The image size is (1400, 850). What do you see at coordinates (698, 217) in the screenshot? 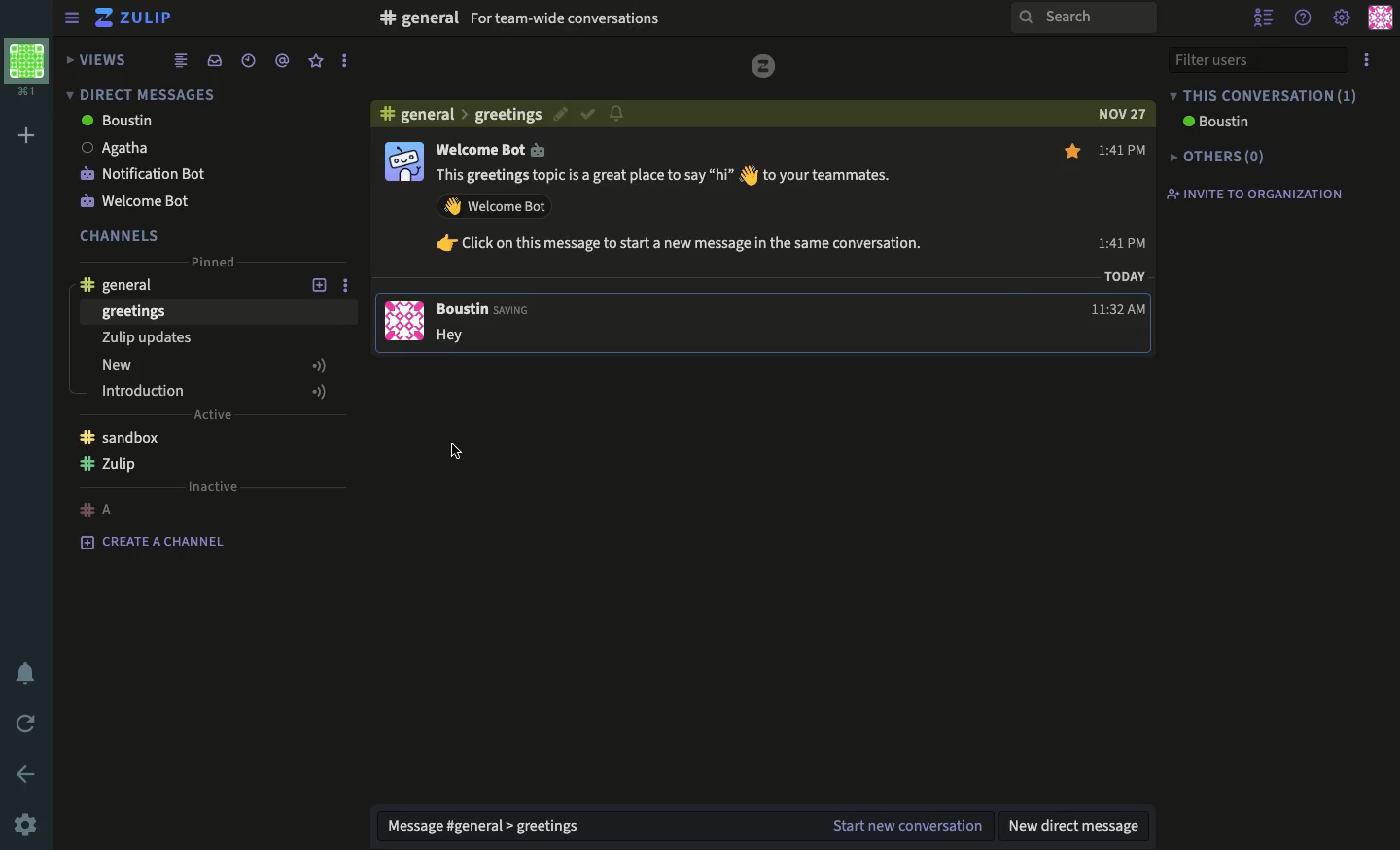
I see `This greetings topic is a great place to say “hi”  to your teammates. Welcome back. Click on this message to start a new message in the same conversation.` at bounding box center [698, 217].